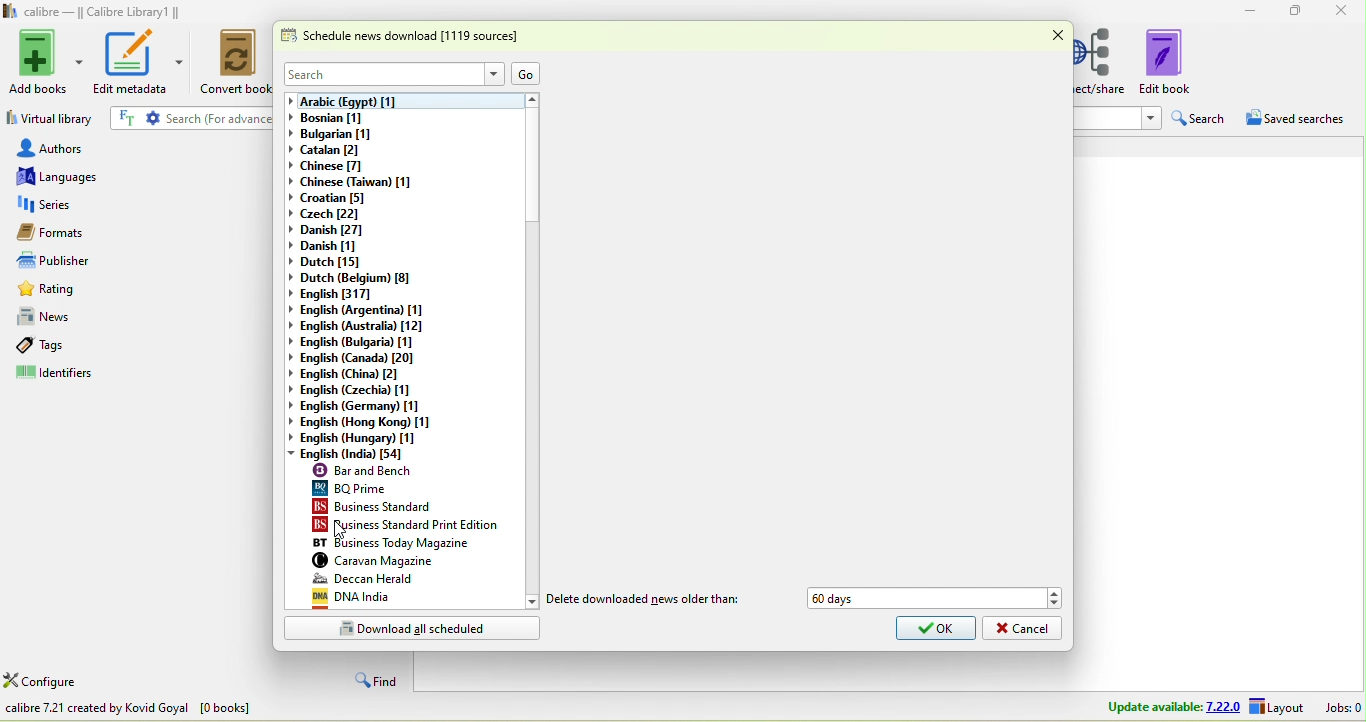 The image size is (1366, 722). I want to click on publishers, so click(137, 260).